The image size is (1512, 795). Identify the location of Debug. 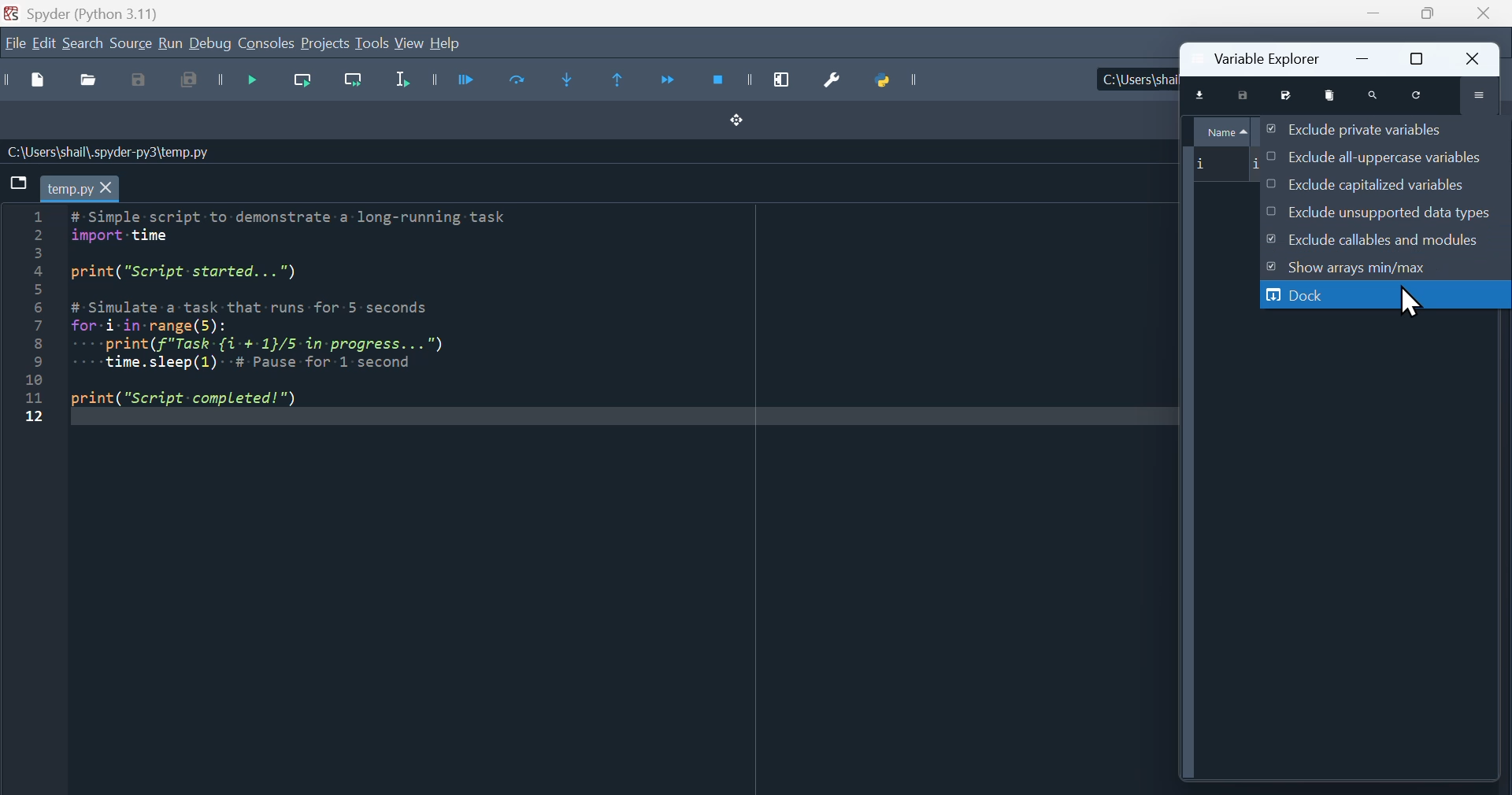
(210, 44).